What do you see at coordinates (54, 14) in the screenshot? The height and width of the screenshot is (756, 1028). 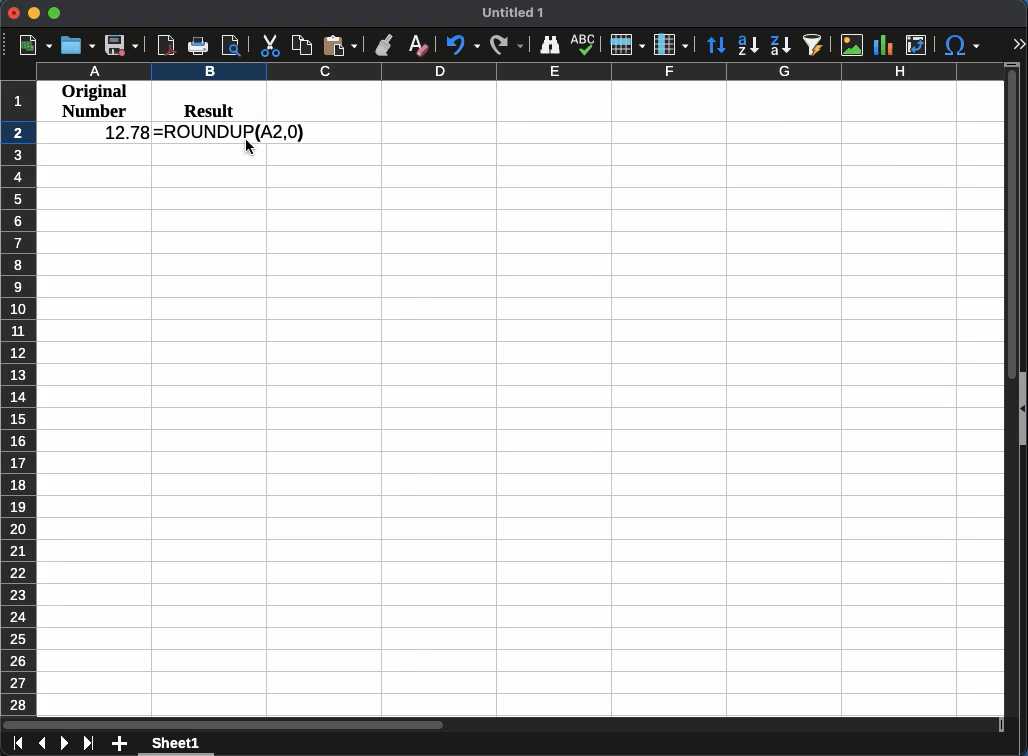 I see `Maximize` at bounding box center [54, 14].